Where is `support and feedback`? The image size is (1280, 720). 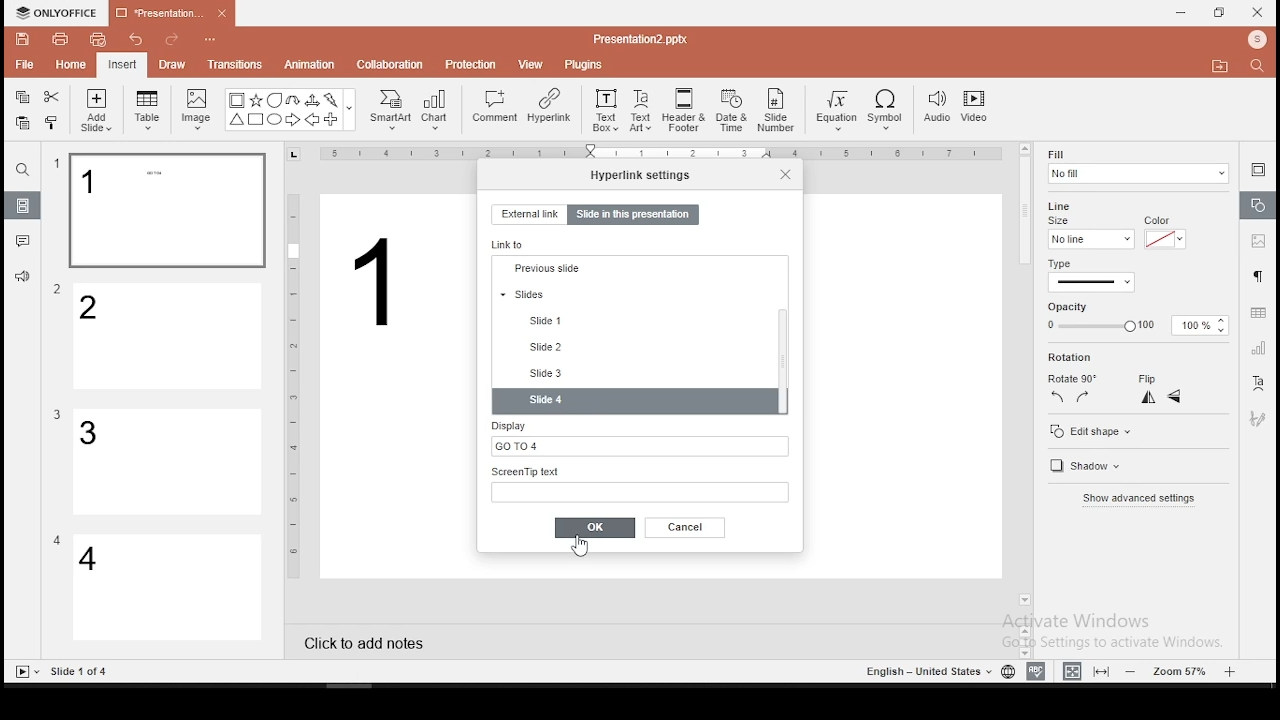
support and feedback is located at coordinates (22, 279).